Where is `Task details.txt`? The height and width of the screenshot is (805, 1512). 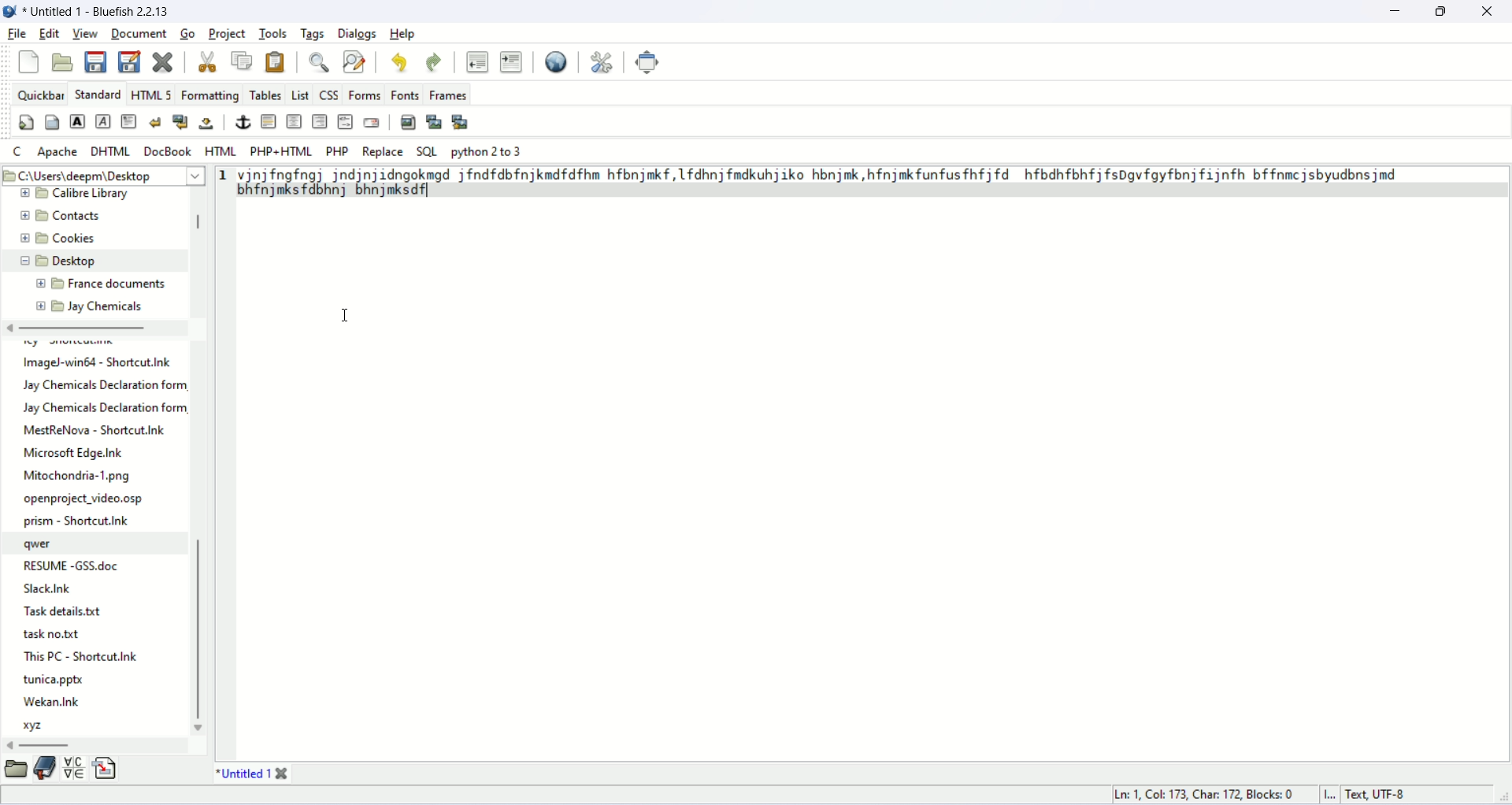 Task details.txt is located at coordinates (67, 612).